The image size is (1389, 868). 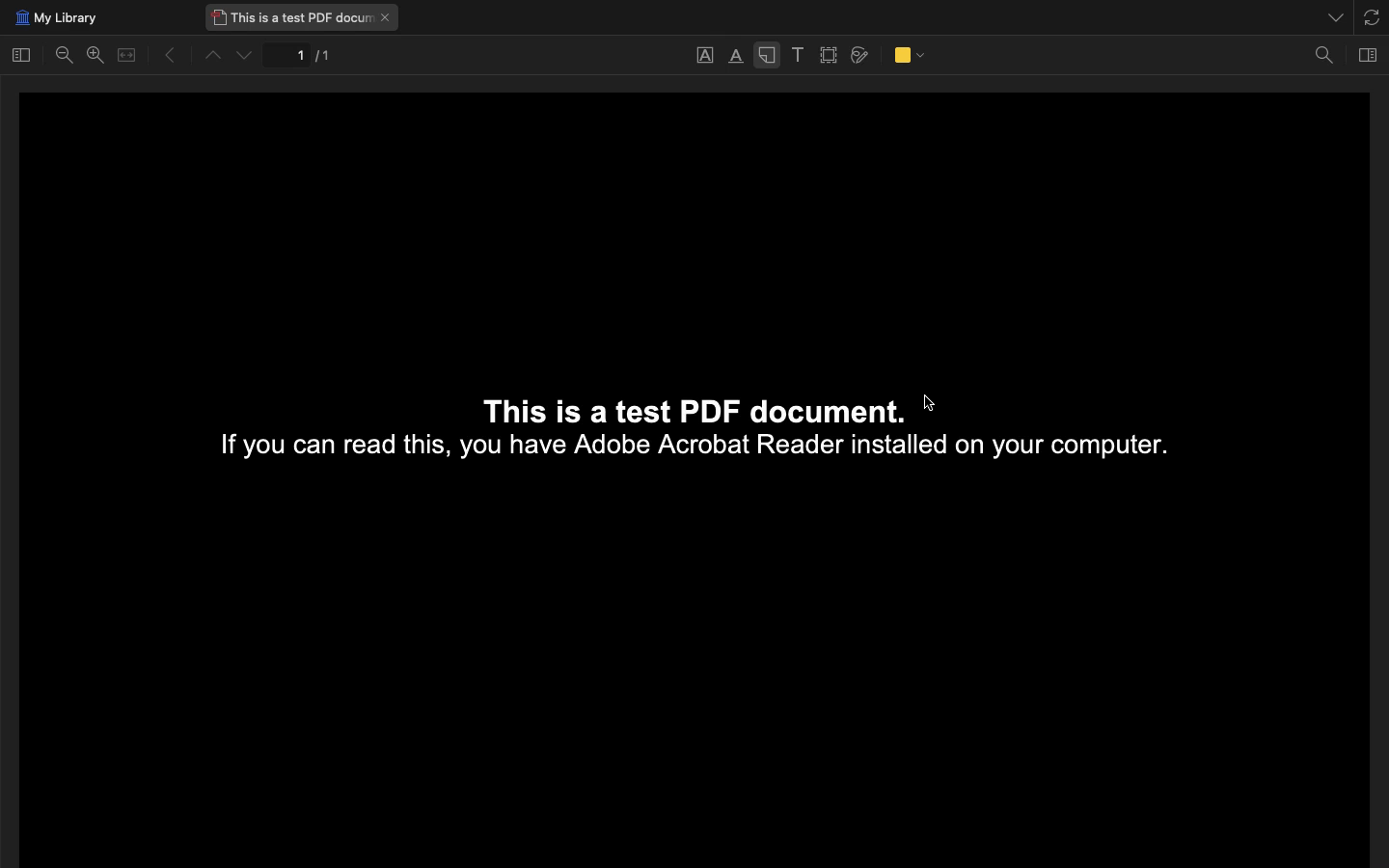 I want to click on 1/1, so click(x=303, y=58).